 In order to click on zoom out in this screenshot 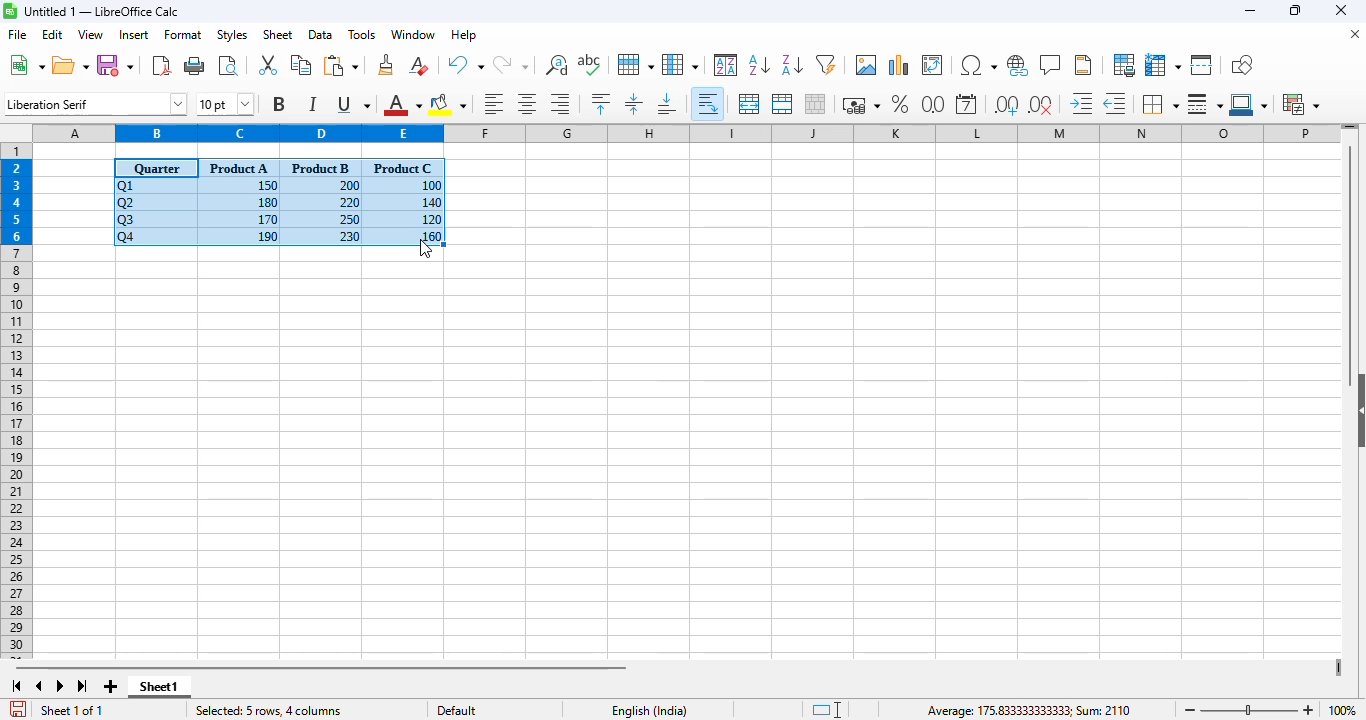, I will do `click(1191, 711)`.